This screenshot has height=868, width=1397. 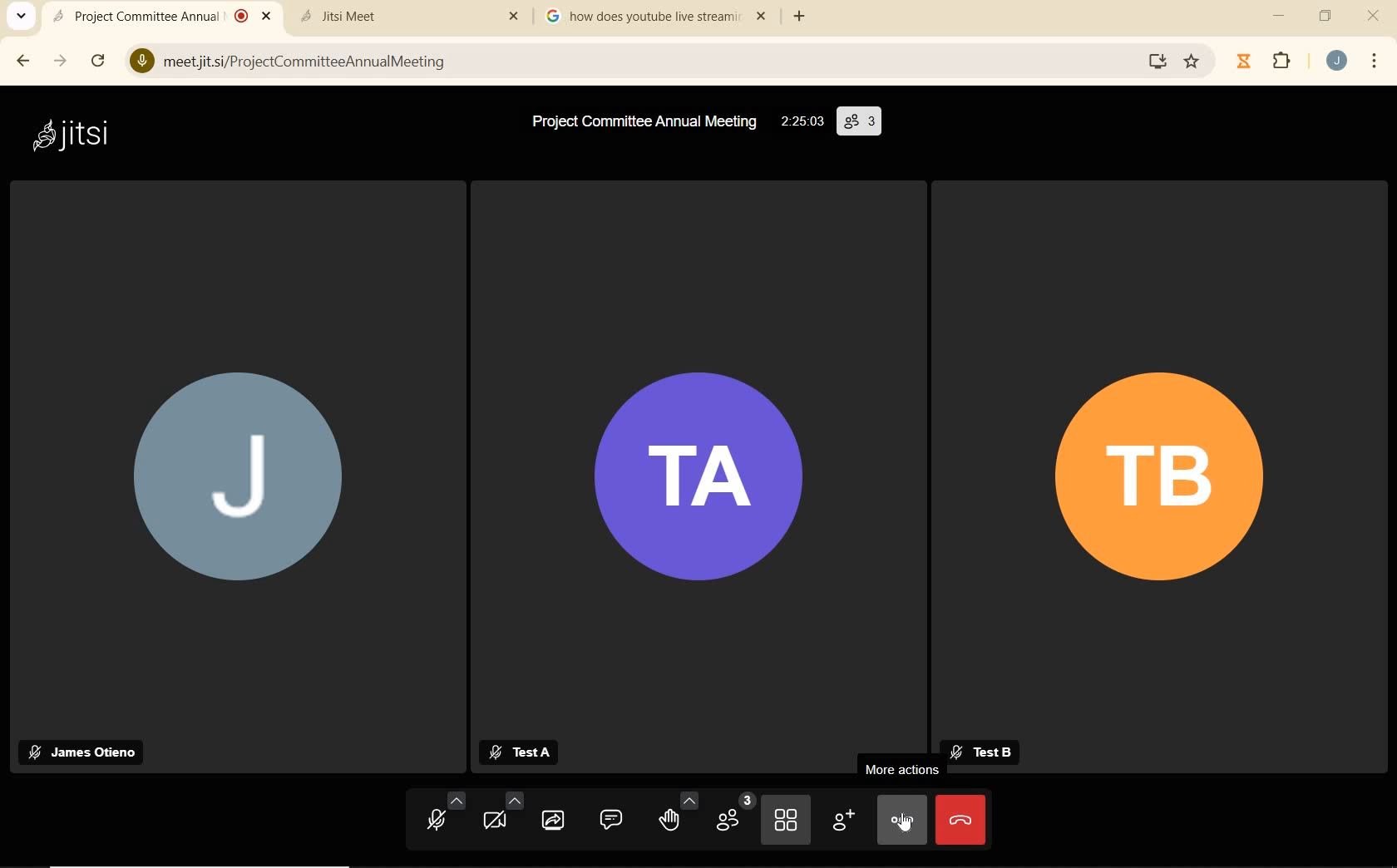 I want to click on minimize, so click(x=1278, y=17).